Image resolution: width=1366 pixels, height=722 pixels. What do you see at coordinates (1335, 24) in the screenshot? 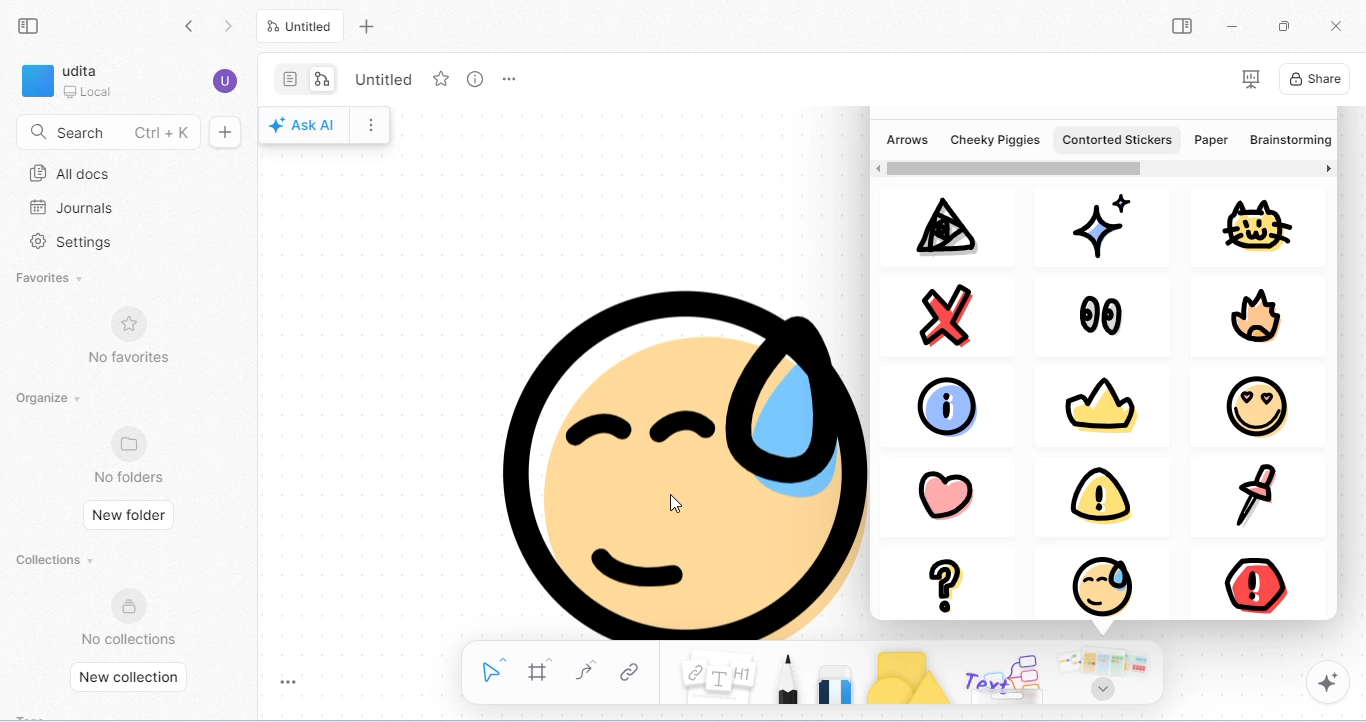
I see `close` at bounding box center [1335, 24].